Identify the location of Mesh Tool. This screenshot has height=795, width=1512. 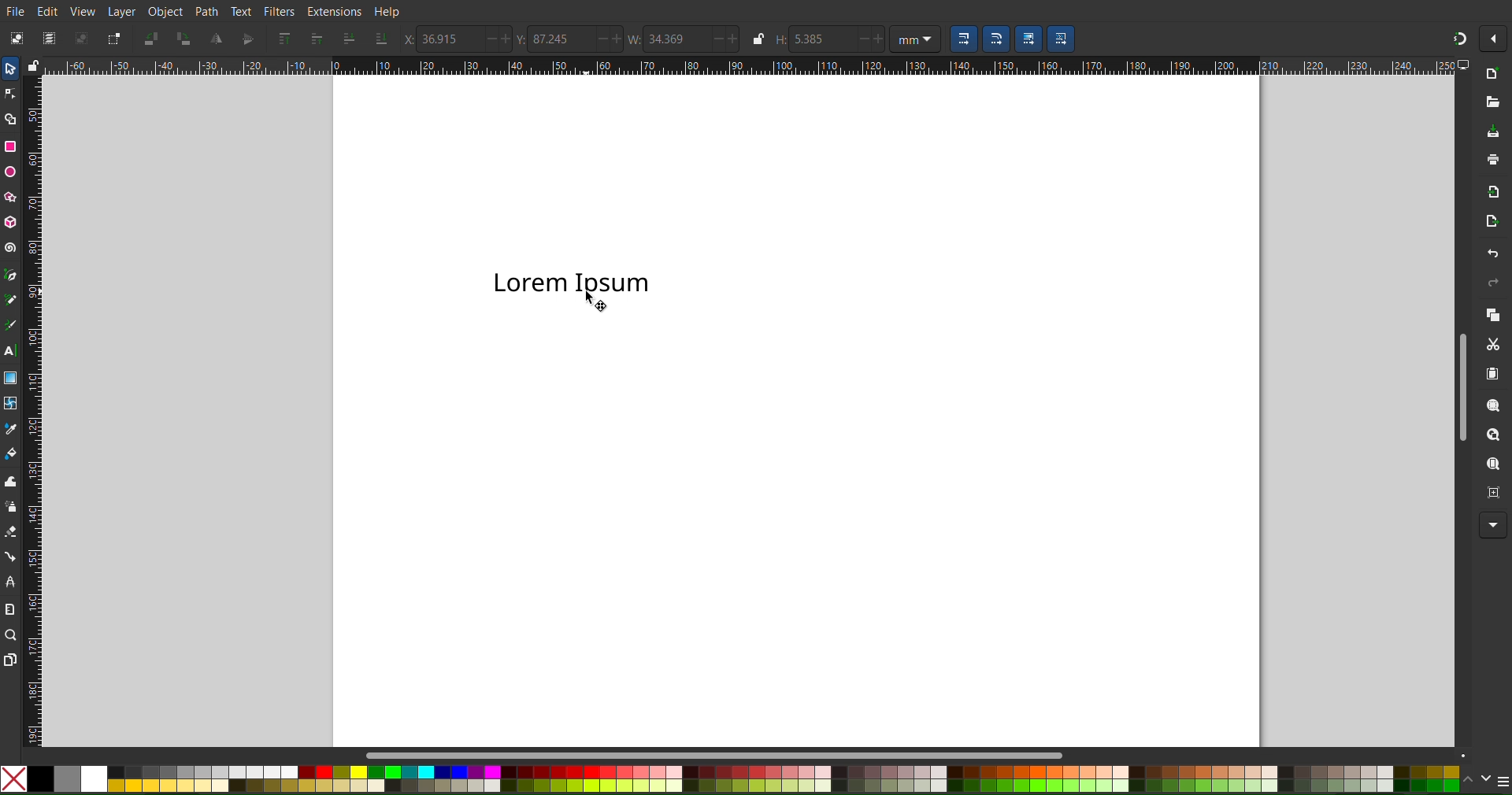
(10, 403).